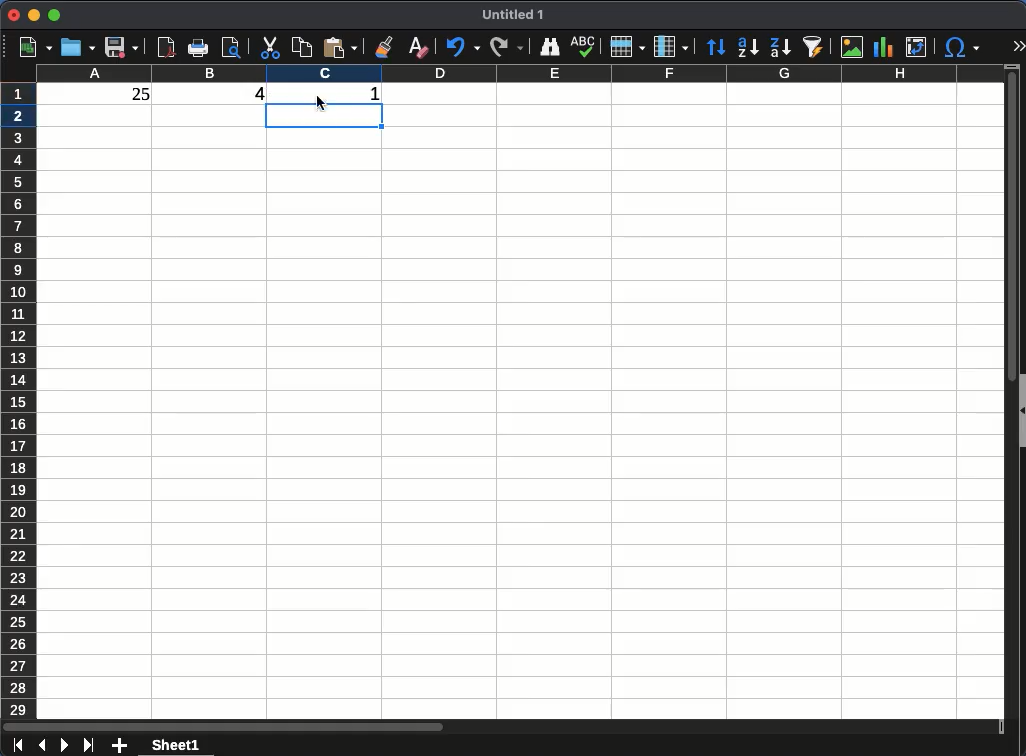 Image resolution: width=1026 pixels, height=756 pixels. Describe the element at coordinates (34, 48) in the screenshot. I see `new` at that location.